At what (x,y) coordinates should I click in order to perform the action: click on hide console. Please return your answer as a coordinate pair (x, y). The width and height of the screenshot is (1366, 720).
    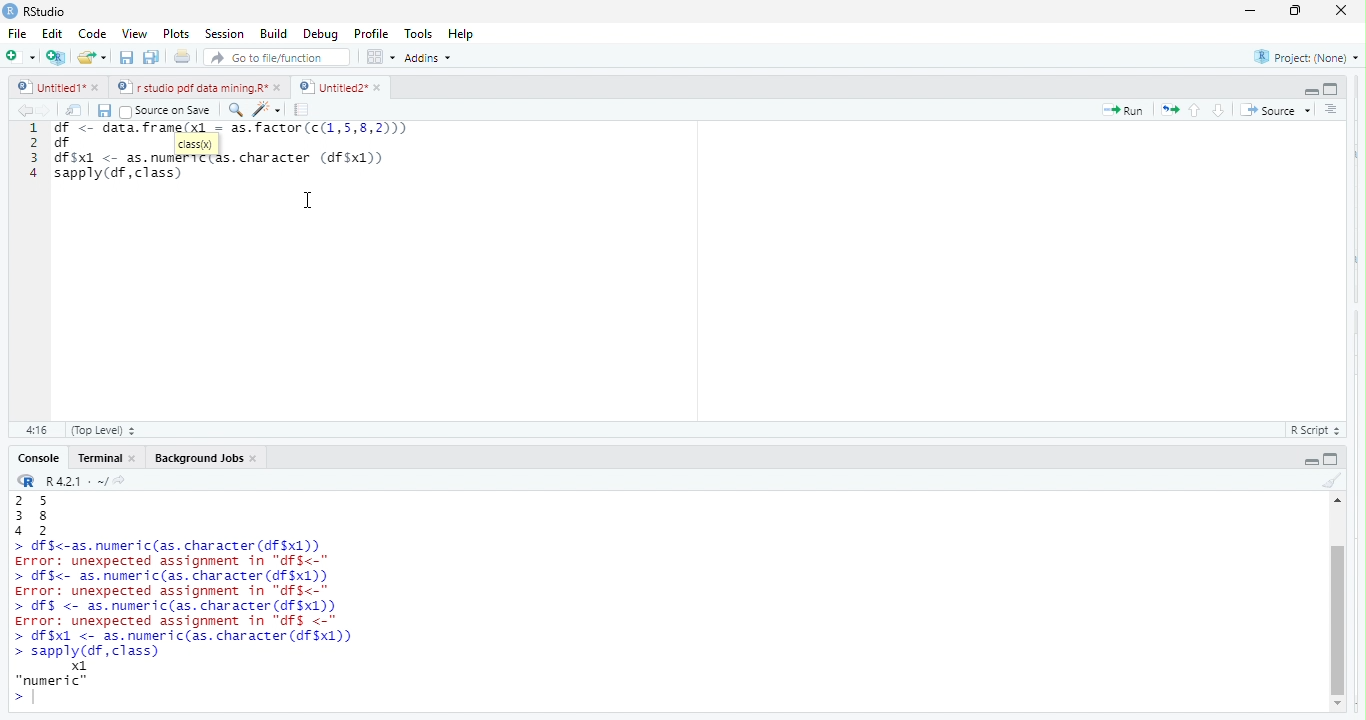
    Looking at the image, I should click on (1333, 460).